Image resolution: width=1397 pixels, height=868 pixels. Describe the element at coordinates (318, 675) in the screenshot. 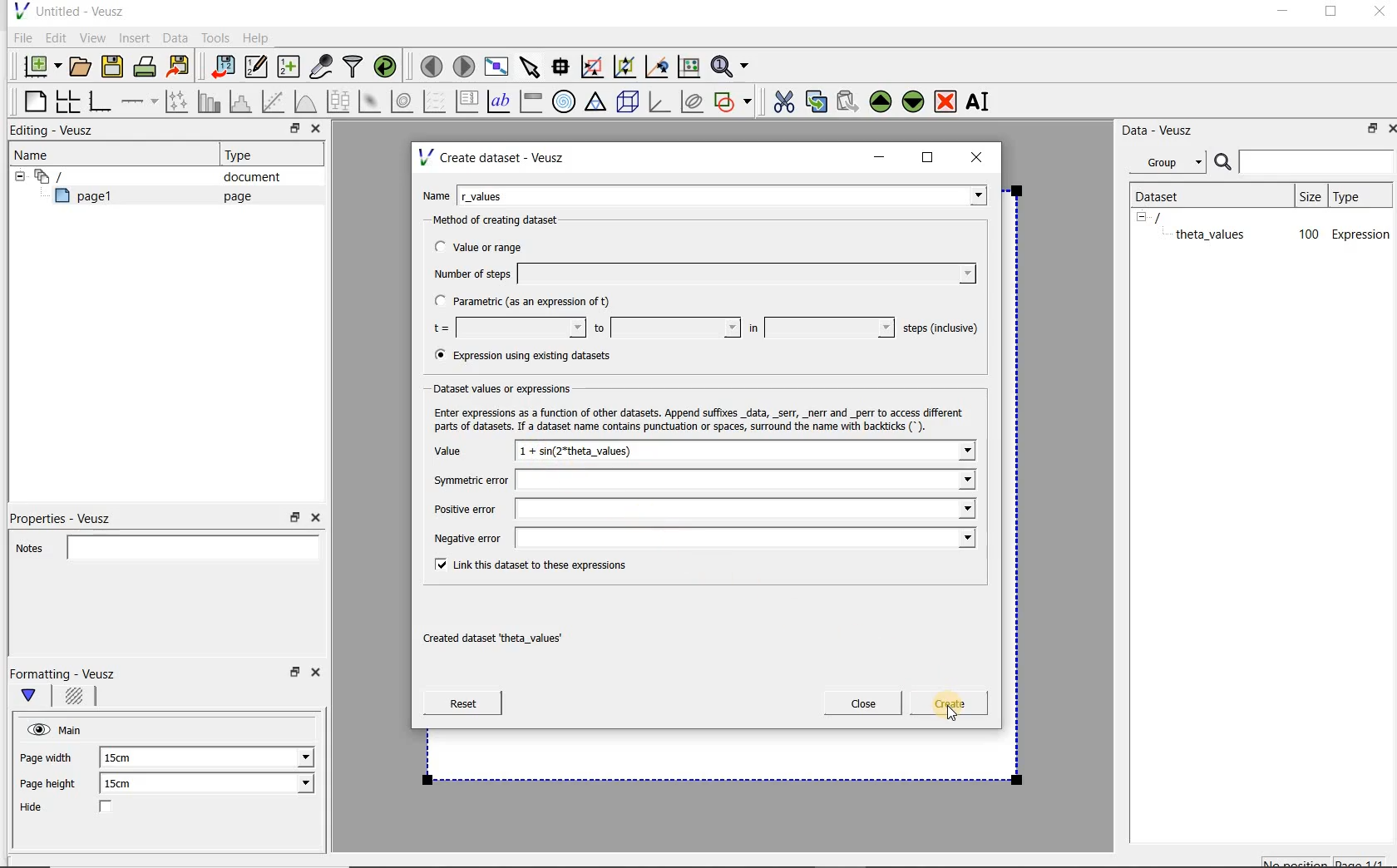

I see `Close` at that location.